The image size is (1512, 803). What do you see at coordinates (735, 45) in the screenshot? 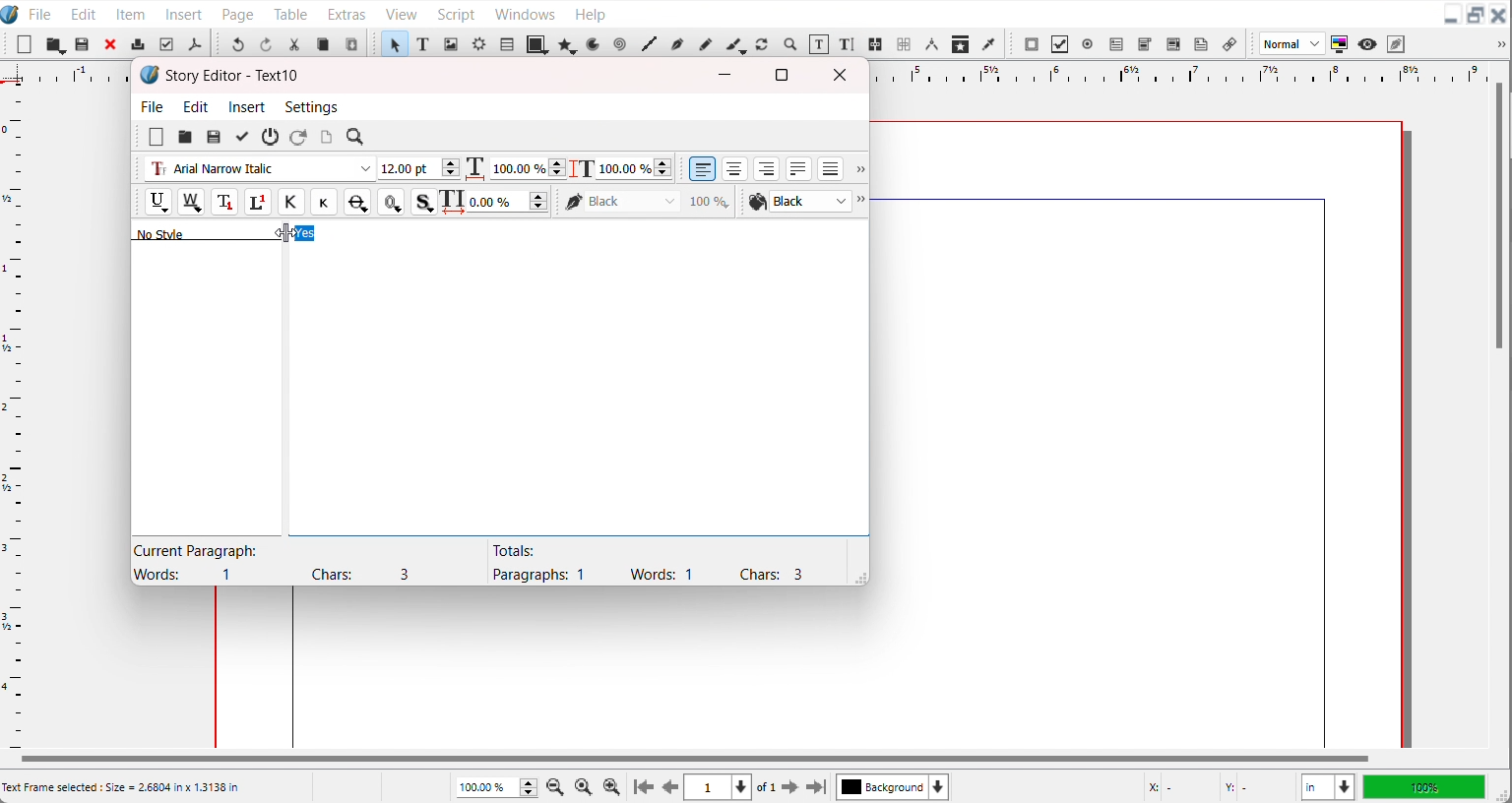
I see `Calligraphic line` at bounding box center [735, 45].